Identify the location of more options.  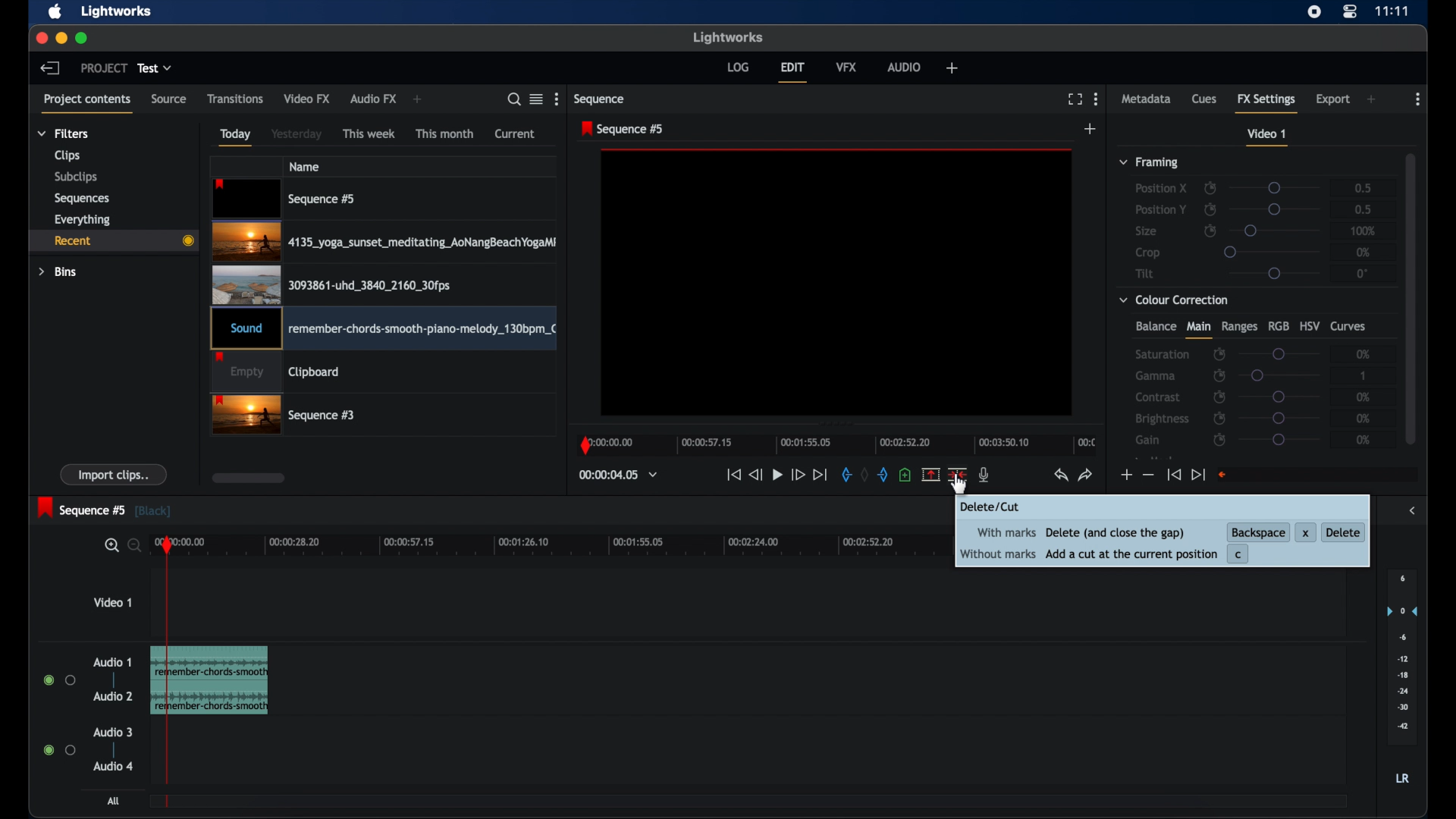
(558, 99).